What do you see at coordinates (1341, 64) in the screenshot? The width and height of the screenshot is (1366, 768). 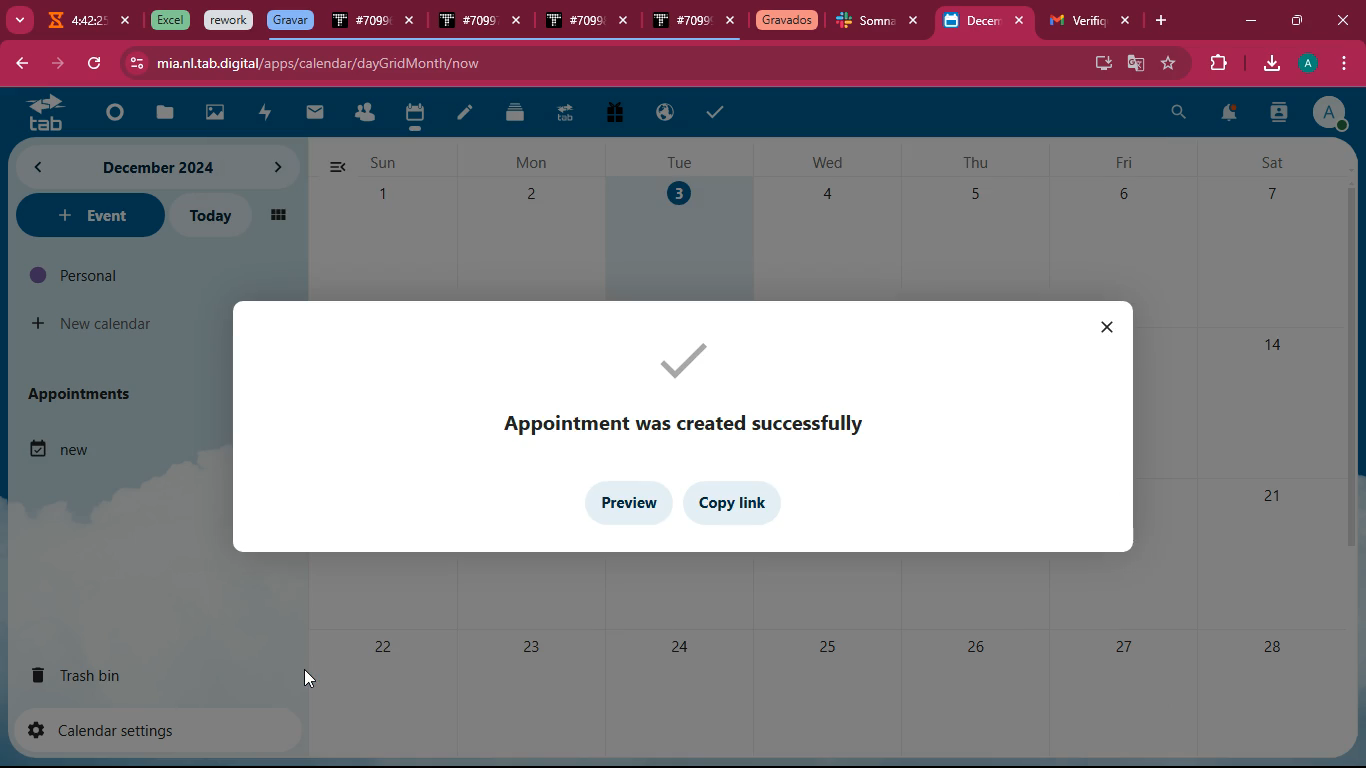 I see `menu` at bounding box center [1341, 64].